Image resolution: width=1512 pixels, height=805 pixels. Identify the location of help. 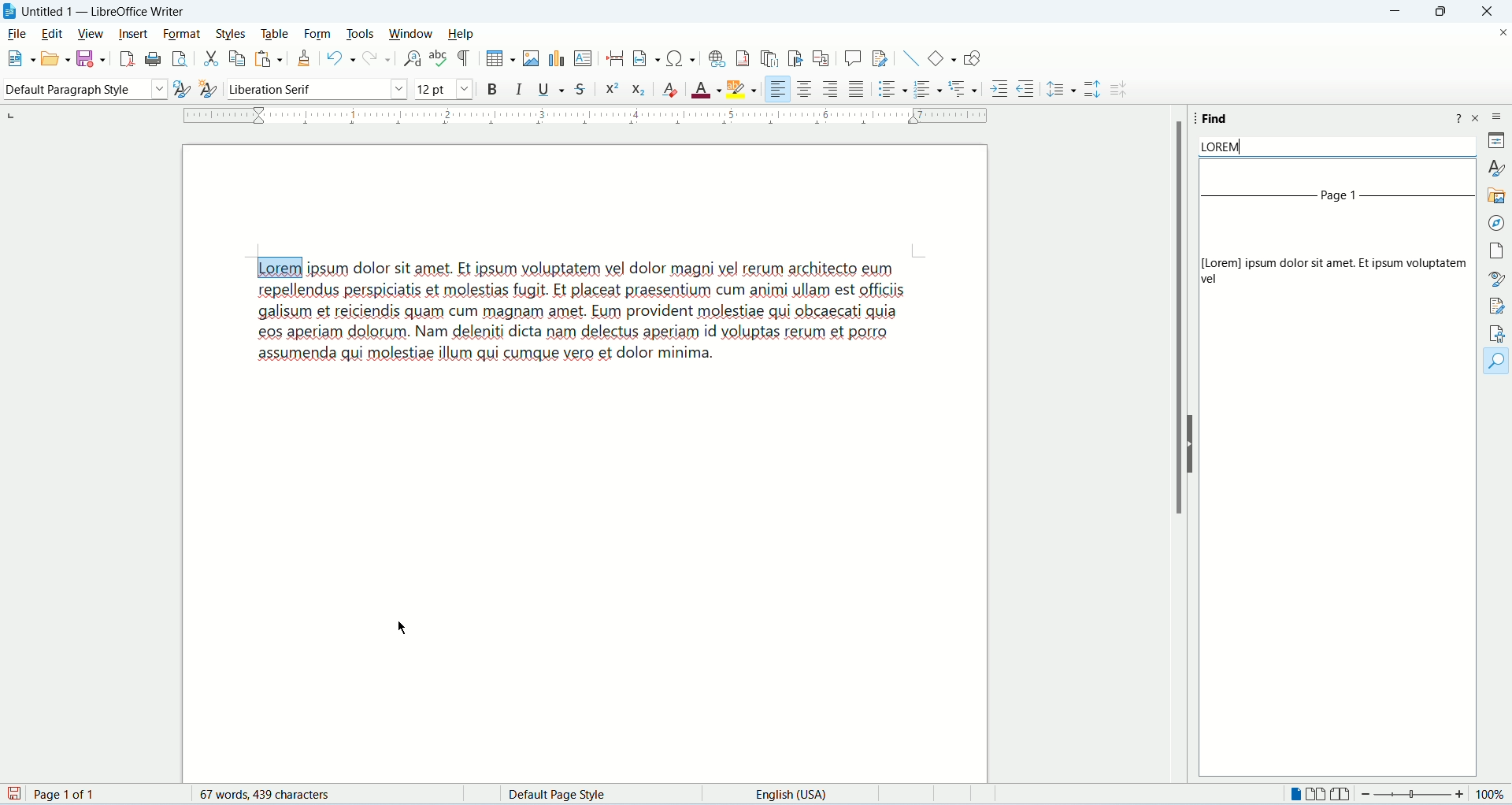
(1459, 119).